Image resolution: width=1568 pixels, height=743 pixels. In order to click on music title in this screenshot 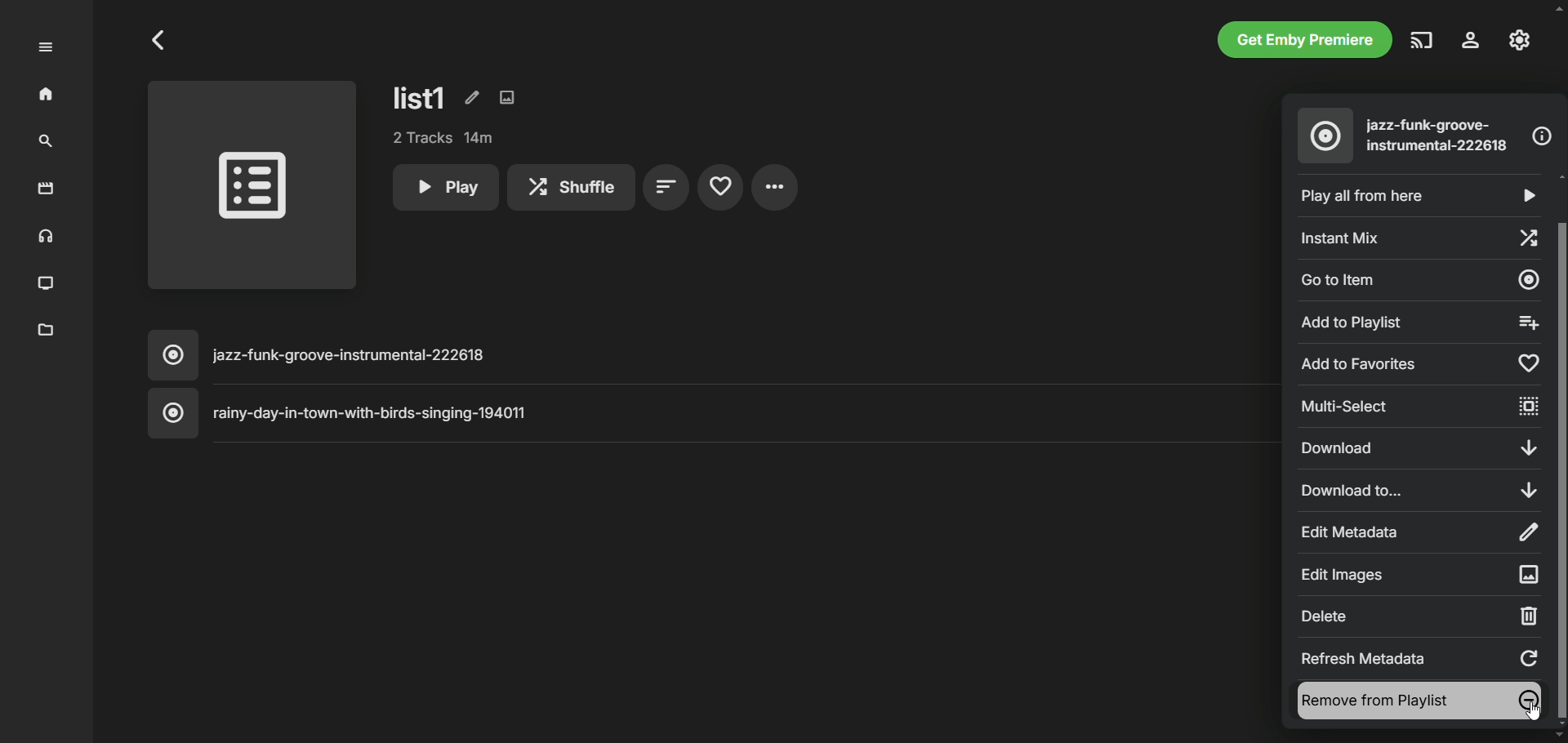, I will do `click(711, 413)`.